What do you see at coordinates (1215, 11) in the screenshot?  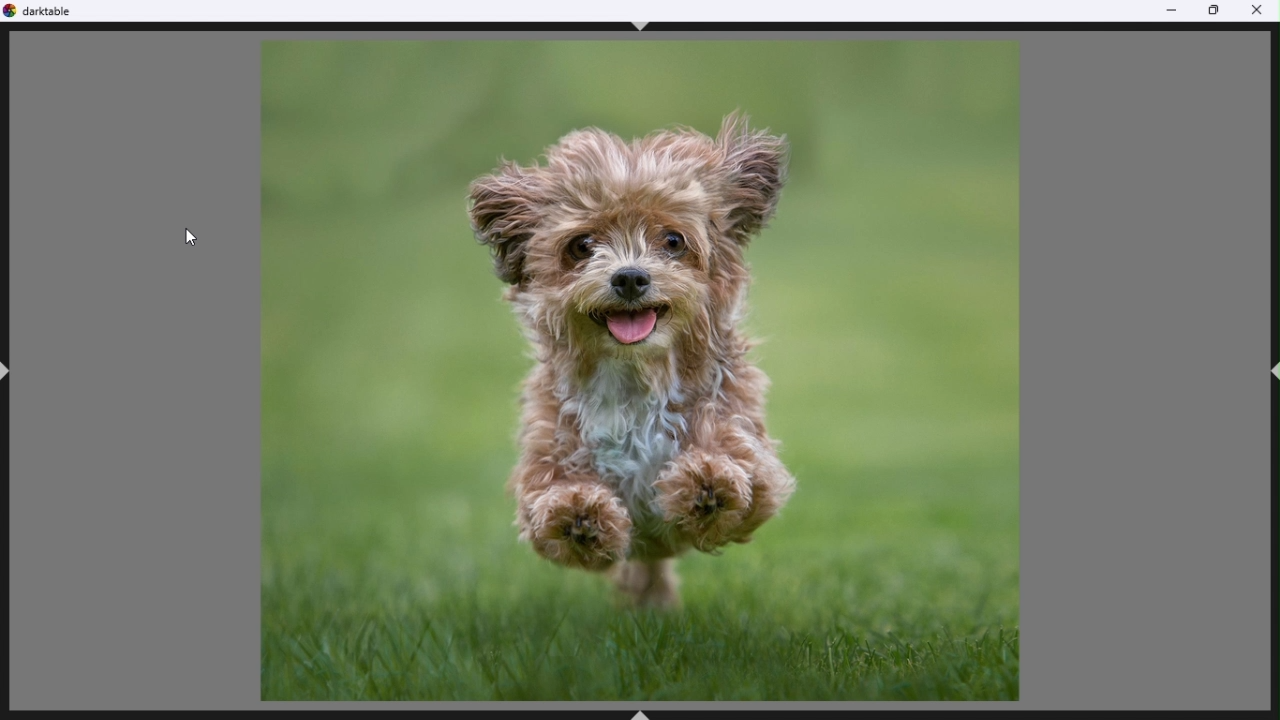 I see `Restore` at bounding box center [1215, 11].